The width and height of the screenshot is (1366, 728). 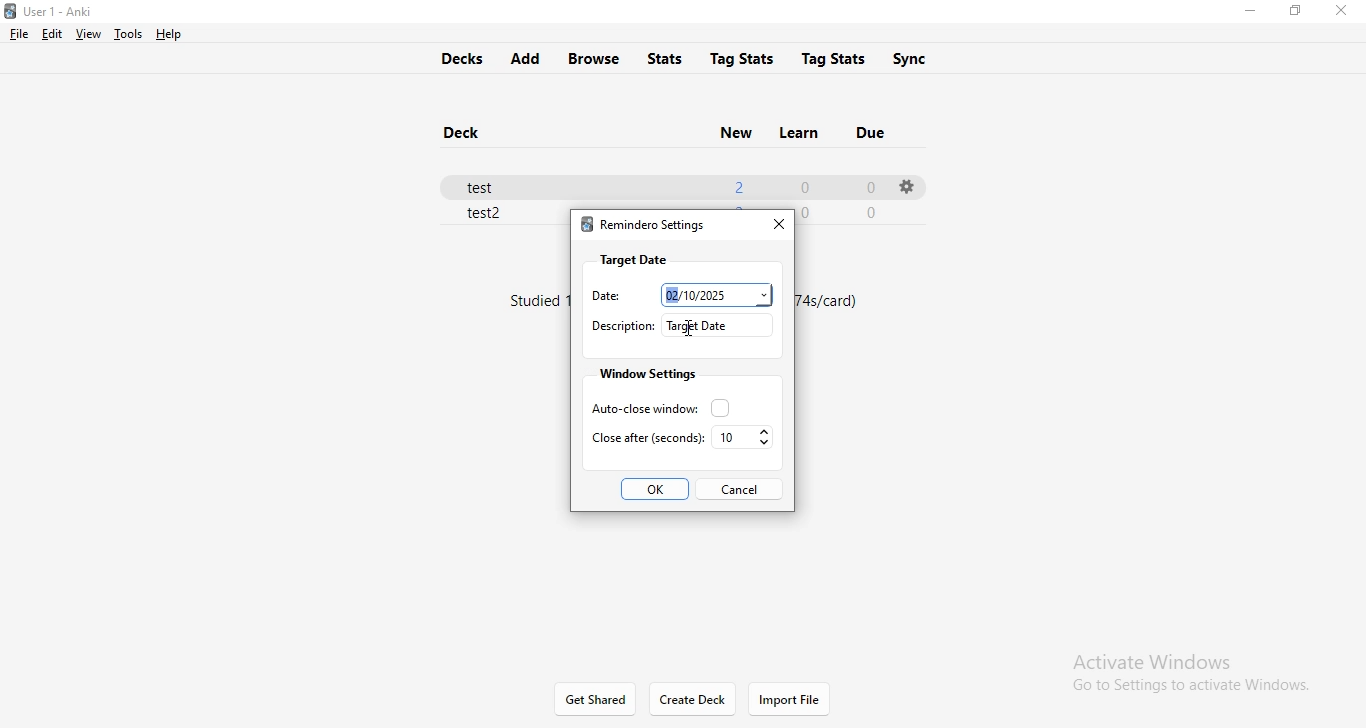 What do you see at coordinates (716, 293) in the screenshot?
I see `date` at bounding box center [716, 293].